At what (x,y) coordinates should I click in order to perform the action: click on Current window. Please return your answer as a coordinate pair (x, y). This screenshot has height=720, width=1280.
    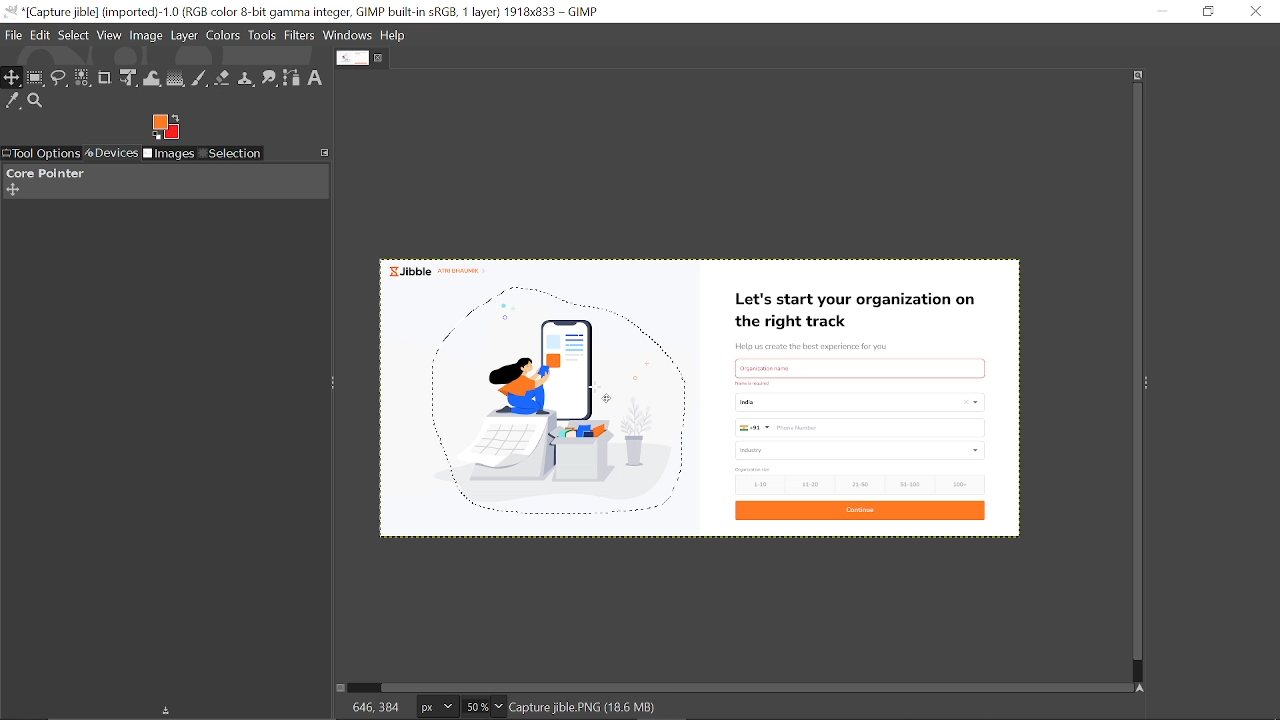
    Looking at the image, I should click on (305, 12).